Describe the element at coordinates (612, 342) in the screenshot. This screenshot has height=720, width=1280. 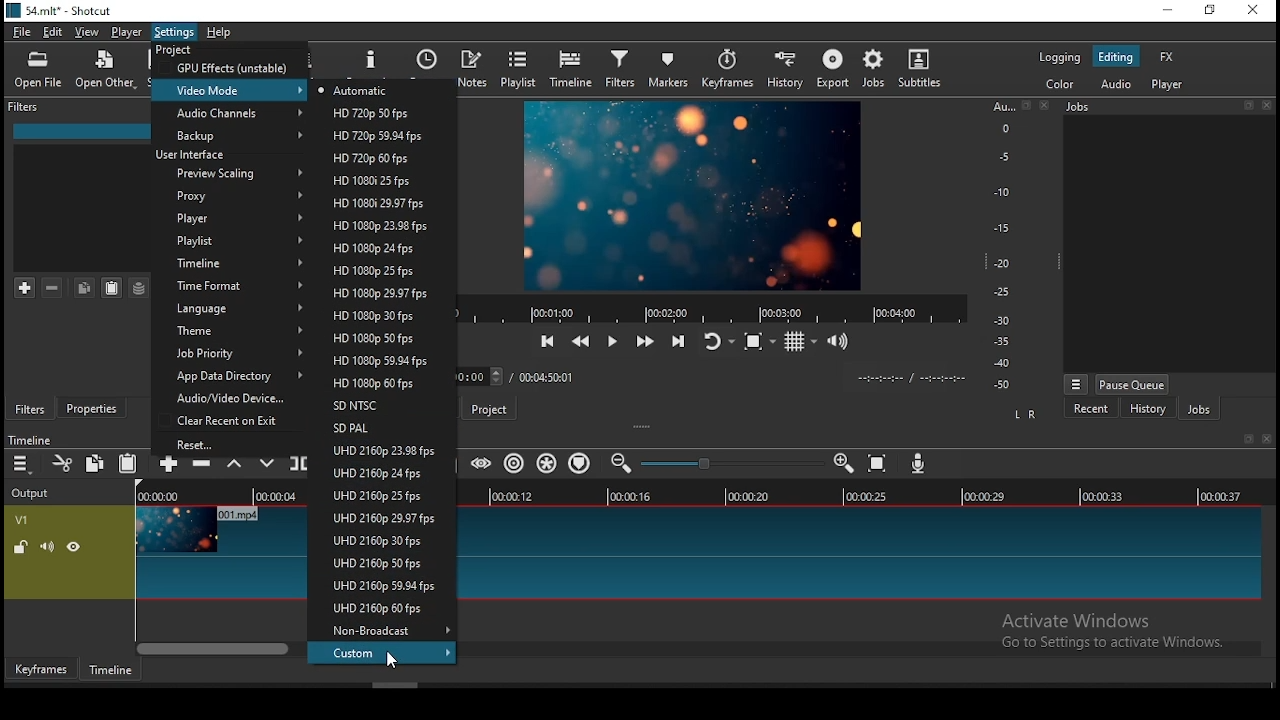
I see `play/pause` at that location.